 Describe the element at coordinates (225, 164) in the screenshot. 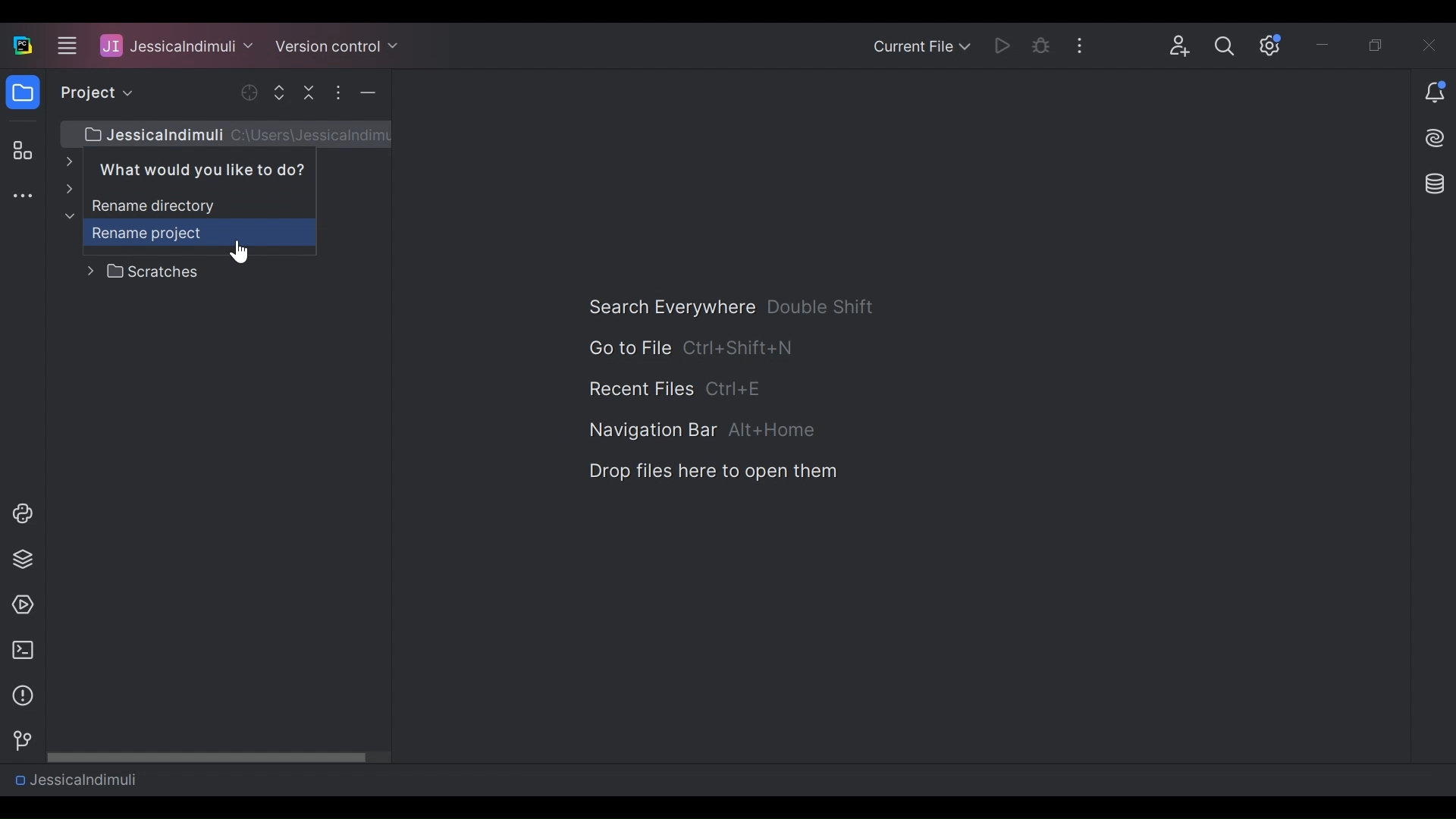

I see `What would you like to do?` at that location.